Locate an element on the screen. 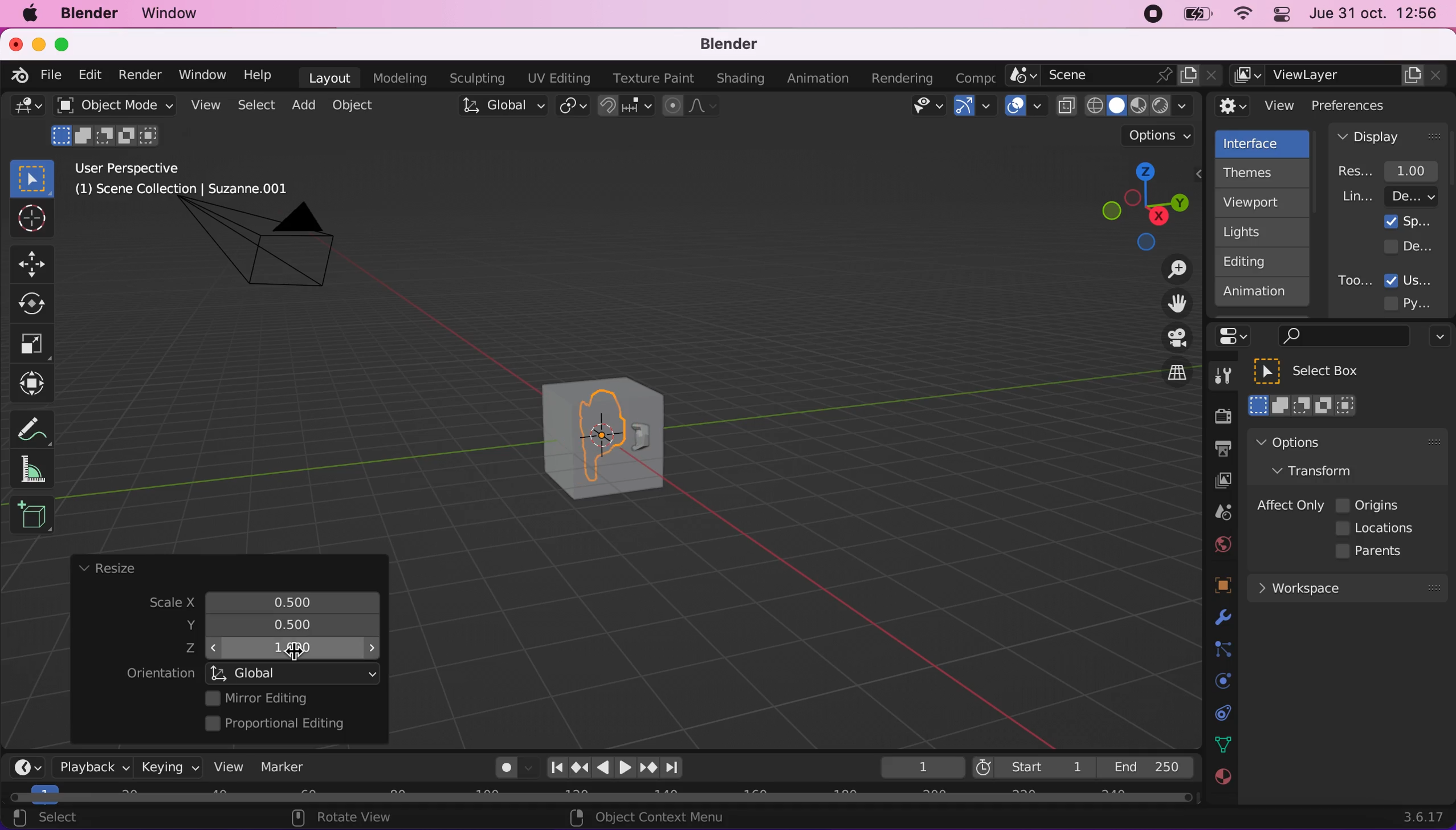 The image size is (1456, 830). scale x is located at coordinates (289, 599).